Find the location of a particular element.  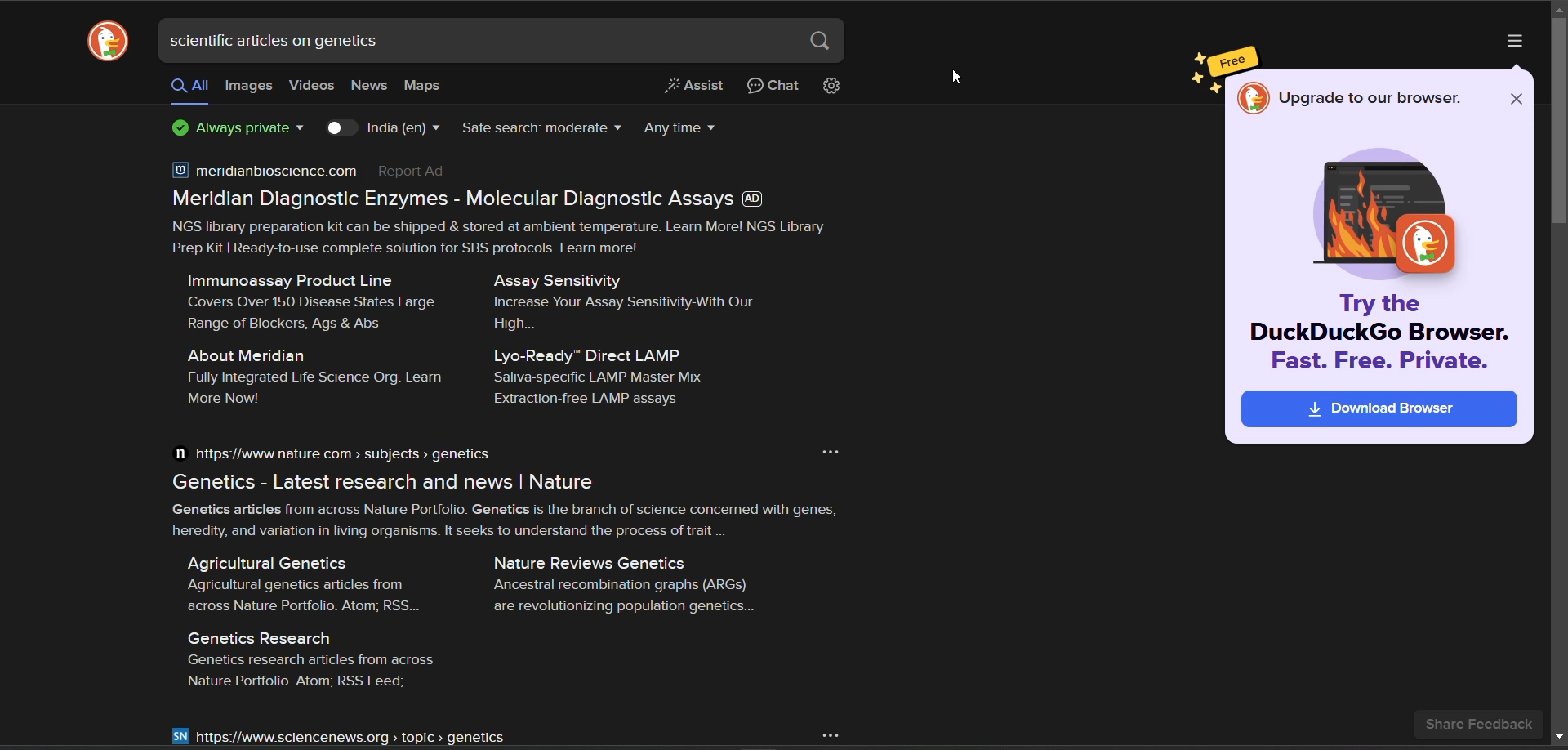

chat privately with AI is located at coordinates (773, 86).